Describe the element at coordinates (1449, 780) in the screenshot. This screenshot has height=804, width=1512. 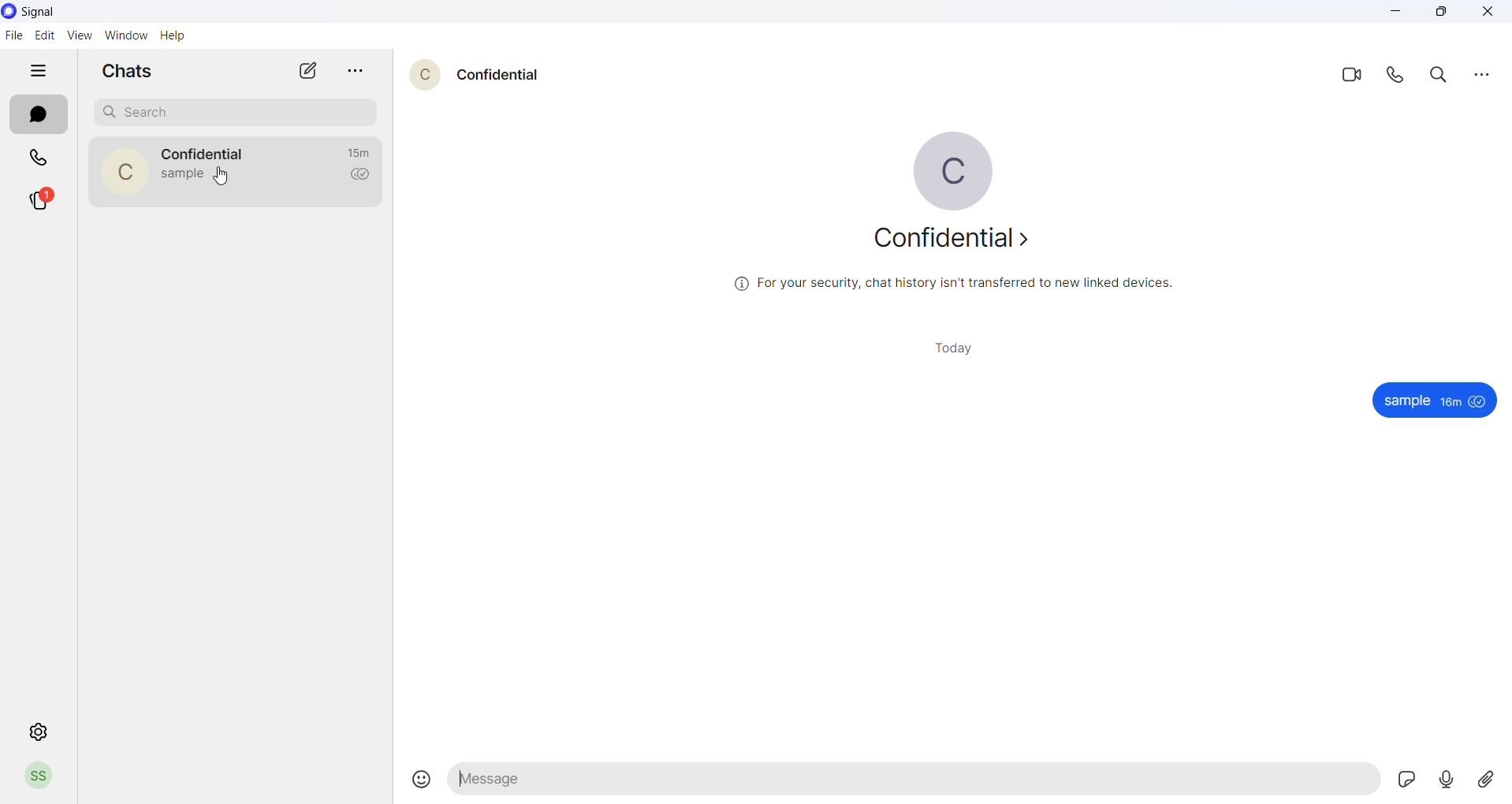
I see `send voice note` at that location.